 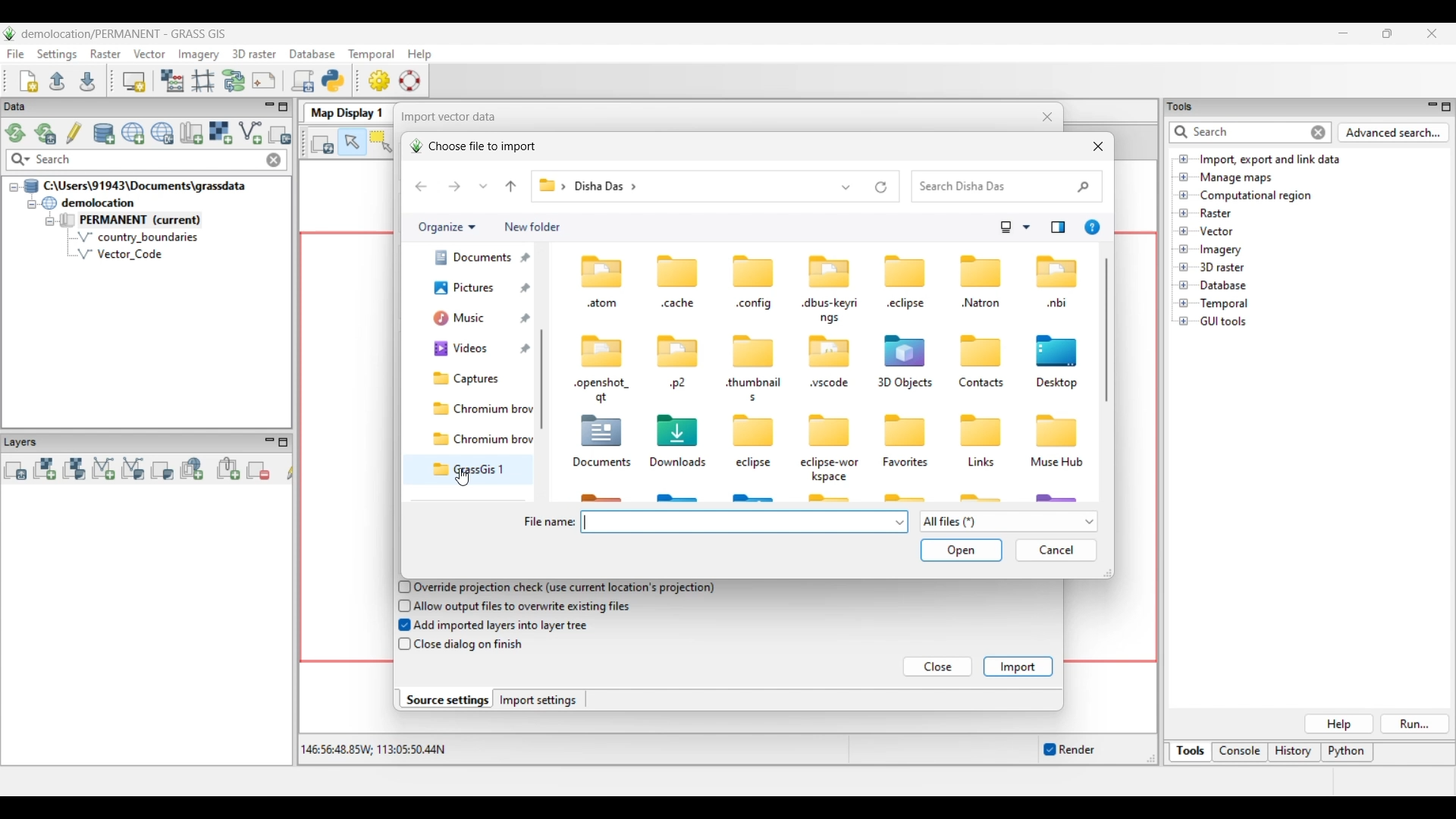 I want to click on icon, so click(x=598, y=269).